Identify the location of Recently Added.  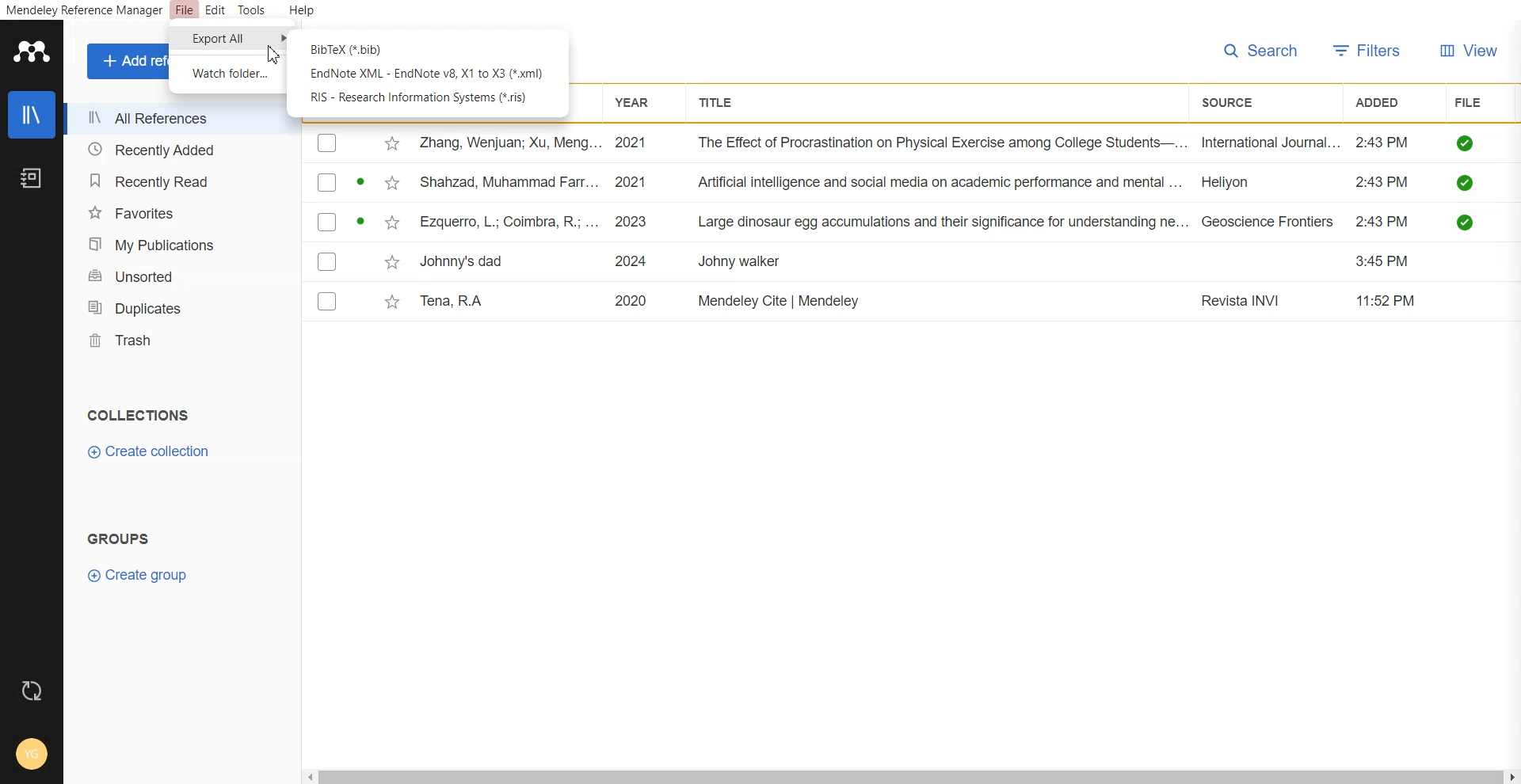
(174, 150).